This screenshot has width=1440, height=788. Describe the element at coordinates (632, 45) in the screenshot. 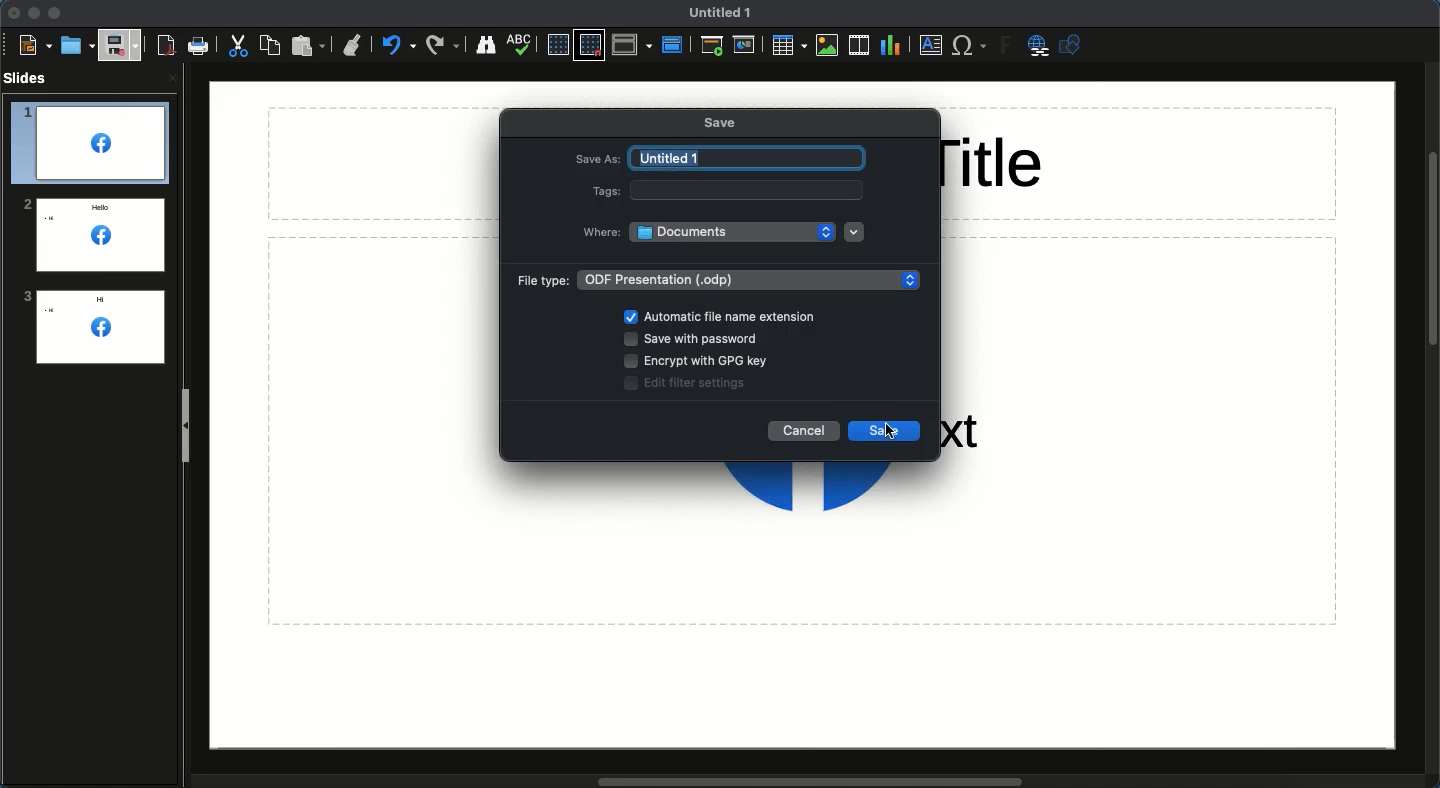

I see `Display views` at that location.